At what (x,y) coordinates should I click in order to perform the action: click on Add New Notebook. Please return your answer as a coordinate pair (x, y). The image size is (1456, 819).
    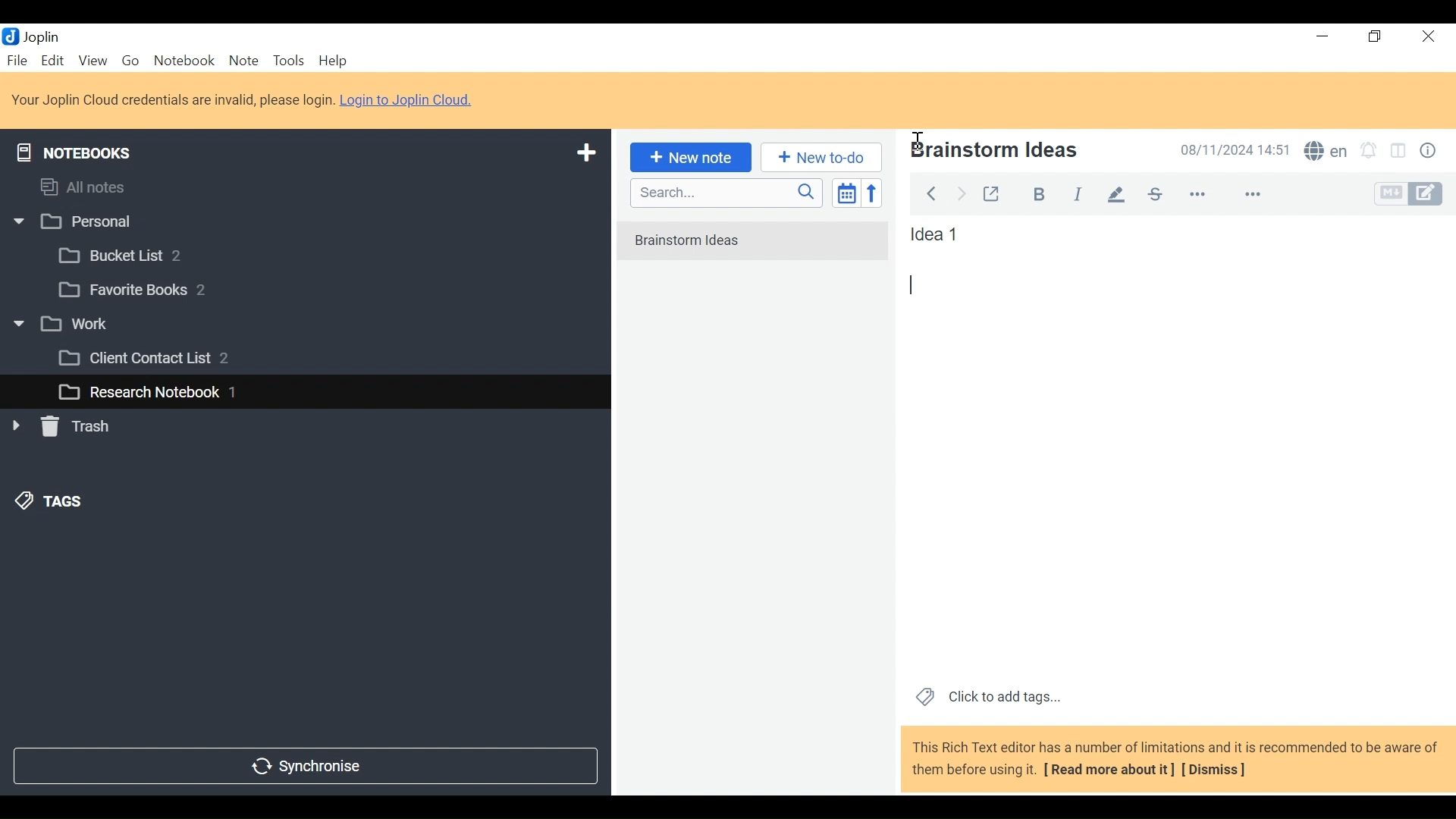
    Looking at the image, I should click on (585, 153).